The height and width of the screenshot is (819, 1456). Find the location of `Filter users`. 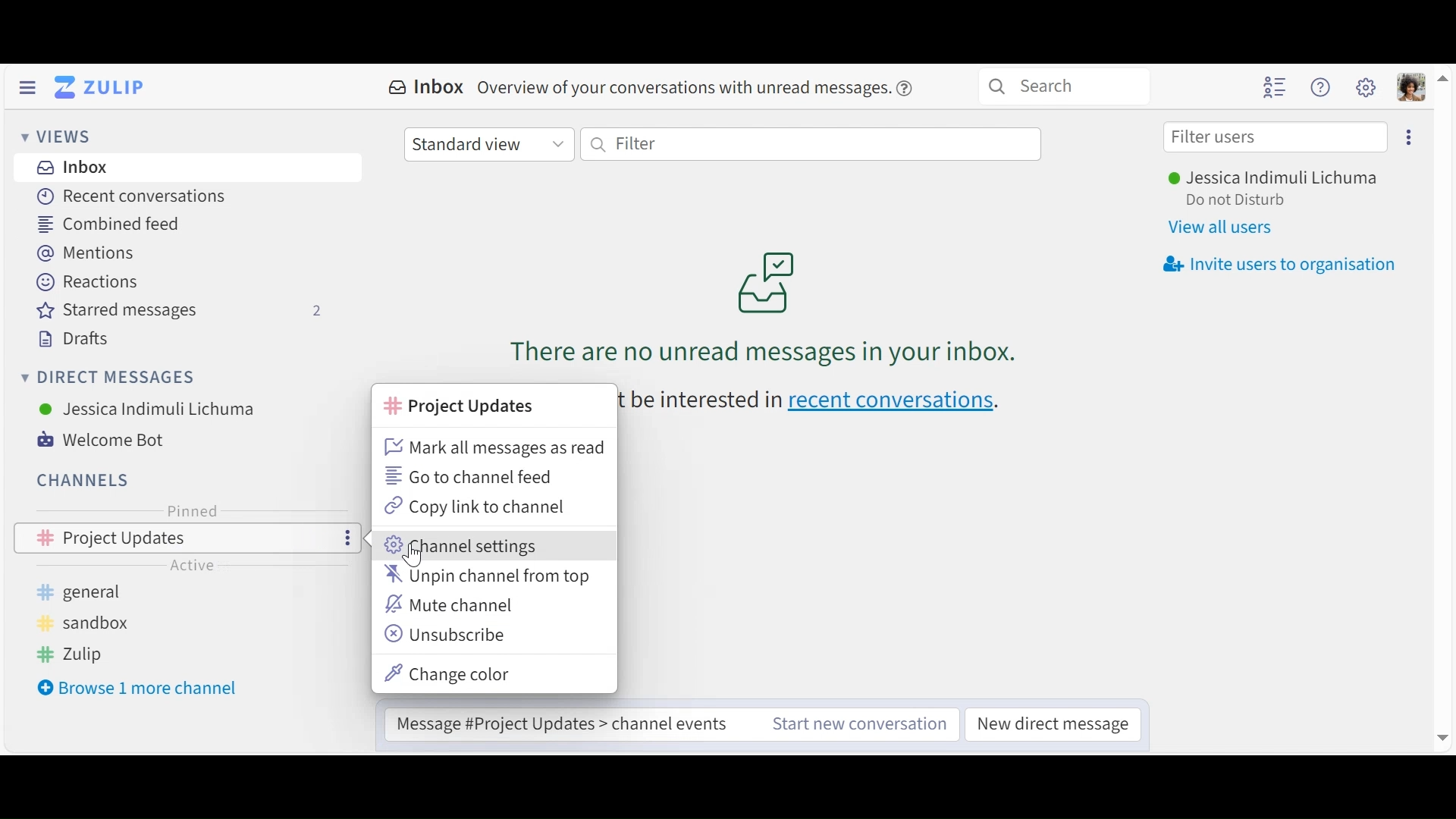

Filter users is located at coordinates (1276, 137).